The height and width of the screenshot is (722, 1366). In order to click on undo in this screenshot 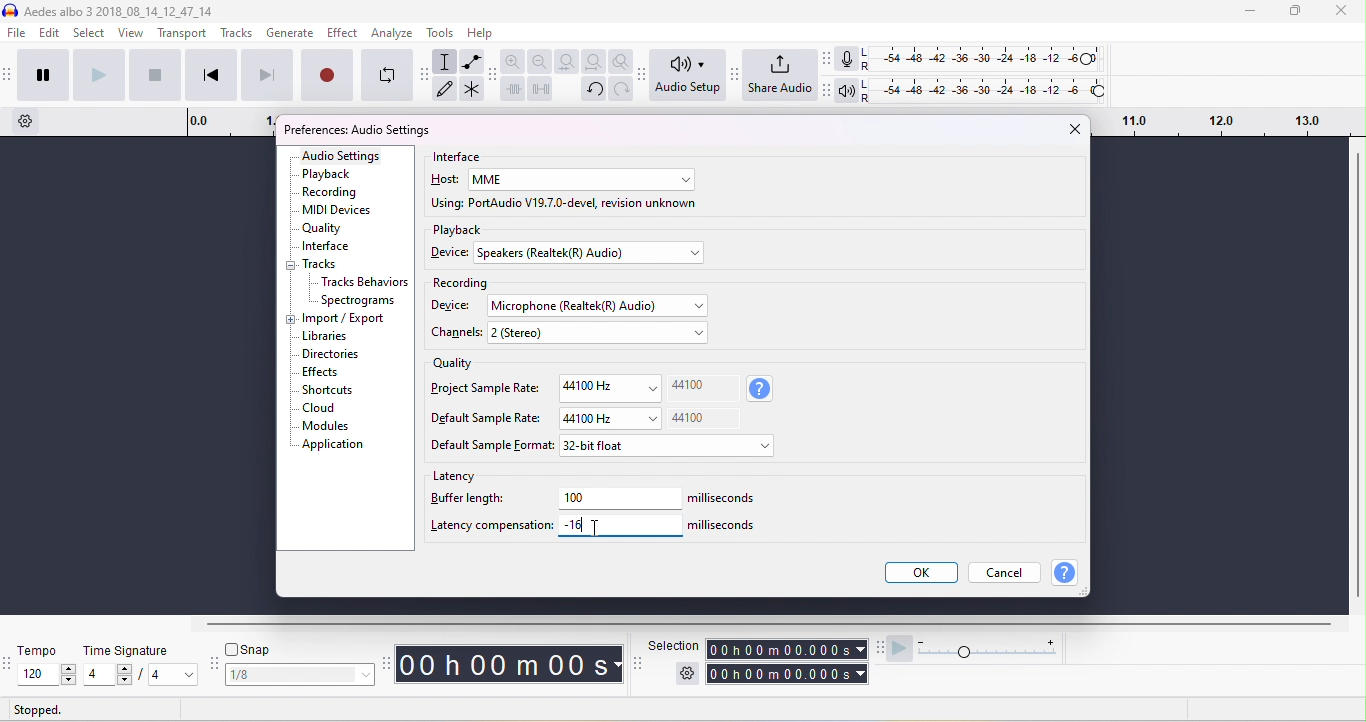, I will do `click(594, 89)`.